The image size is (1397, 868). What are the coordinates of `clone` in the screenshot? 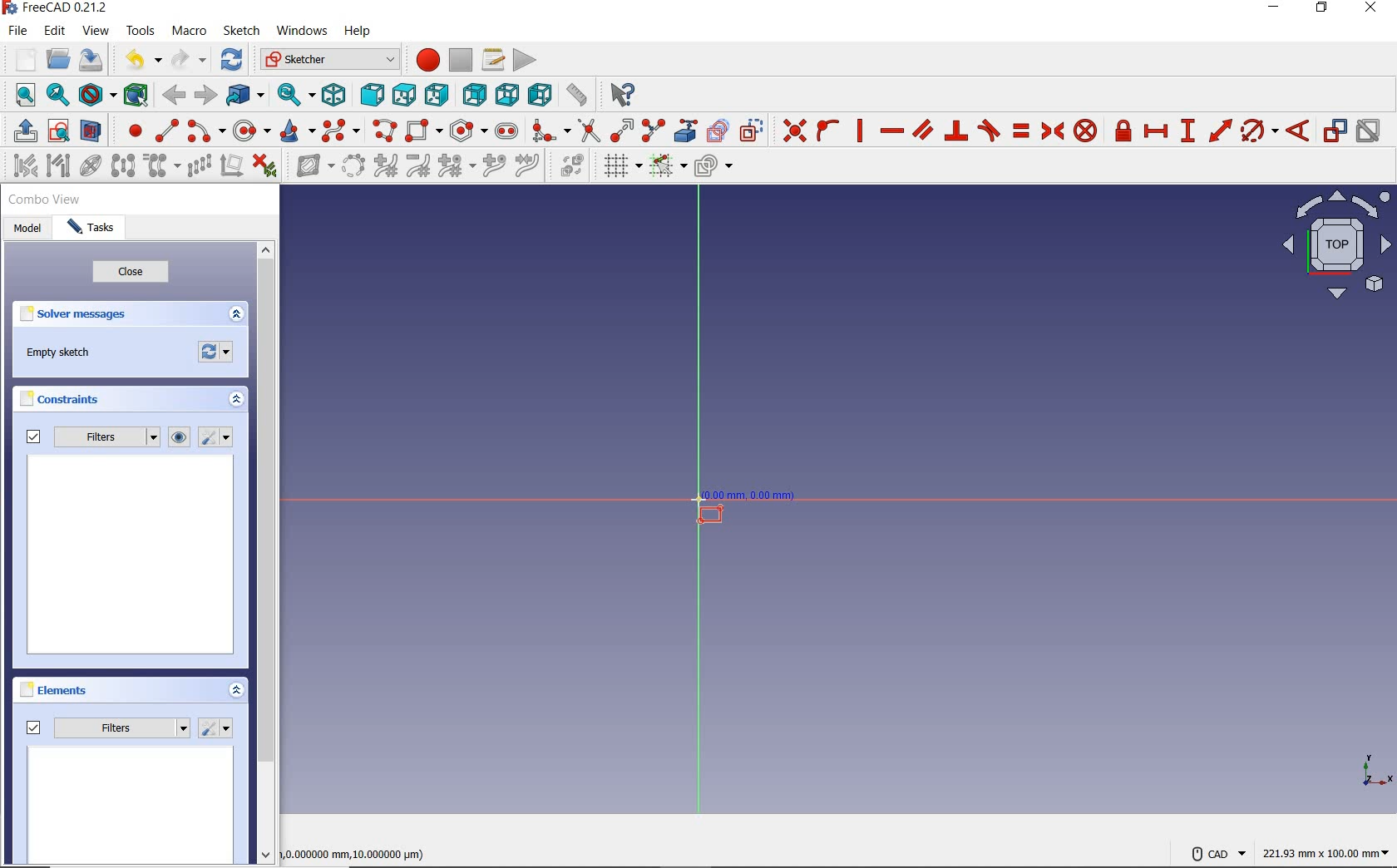 It's located at (163, 167).